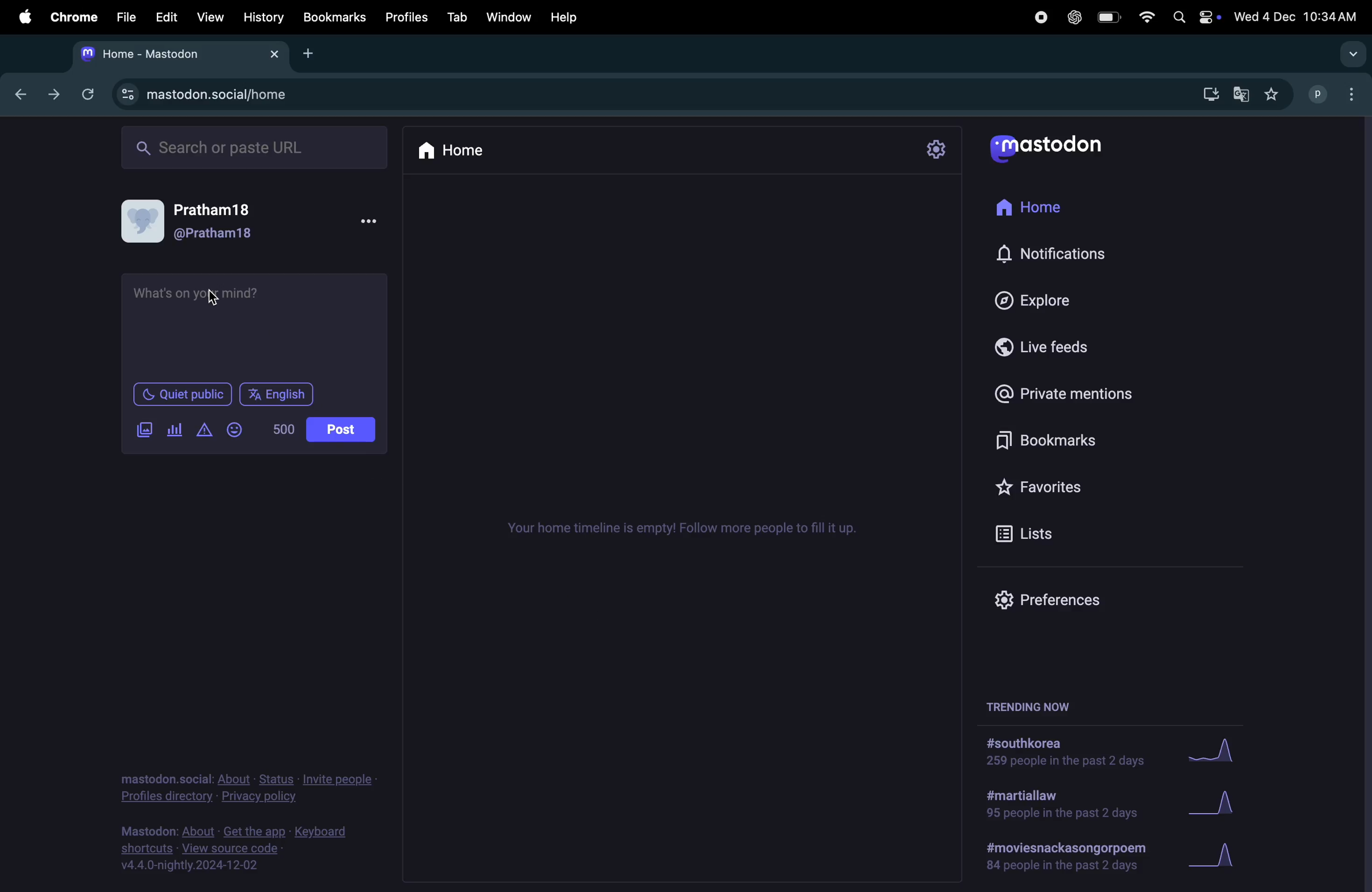 Image resolution: width=1372 pixels, height=892 pixels. What do you see at coordinates (460, 149) in the screenshot?
I see `Home` at bounding box center [460, 149].